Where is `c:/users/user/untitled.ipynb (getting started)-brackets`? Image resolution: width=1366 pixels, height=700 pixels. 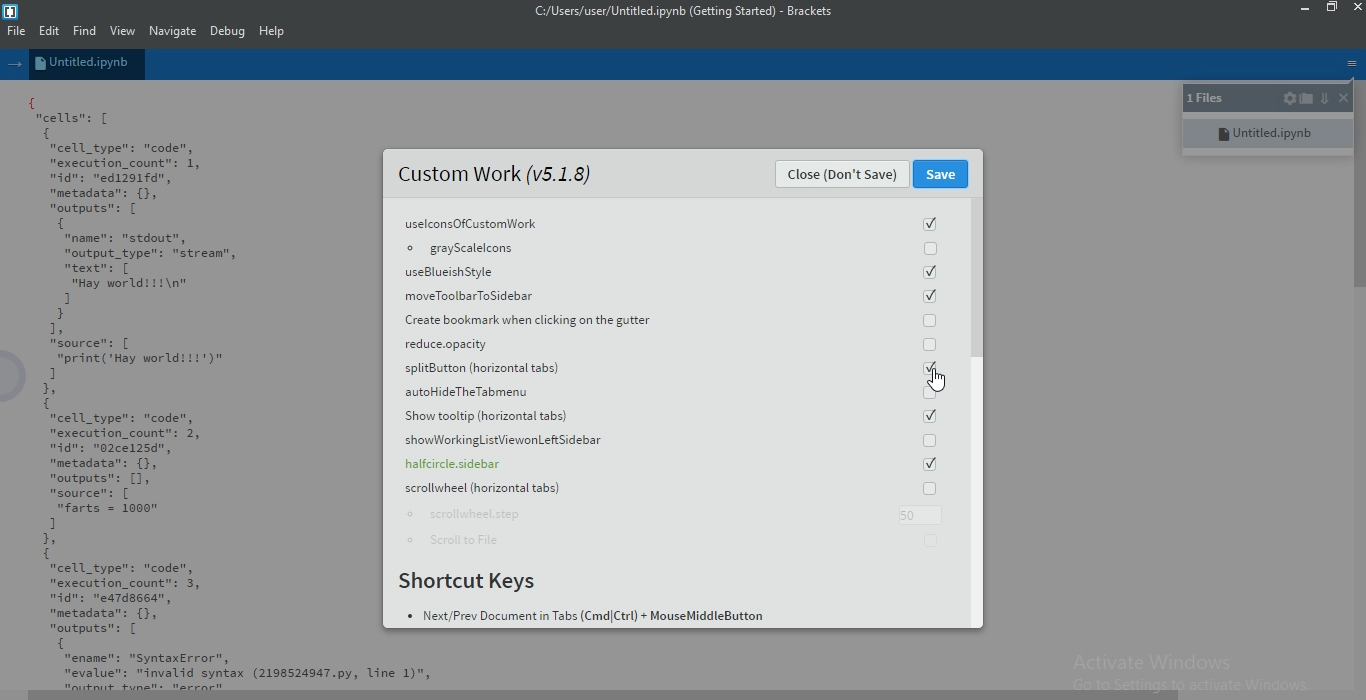
c:/users/user/untitled.ipynb (getting started)-brackets is located at coordinates (681, 14).